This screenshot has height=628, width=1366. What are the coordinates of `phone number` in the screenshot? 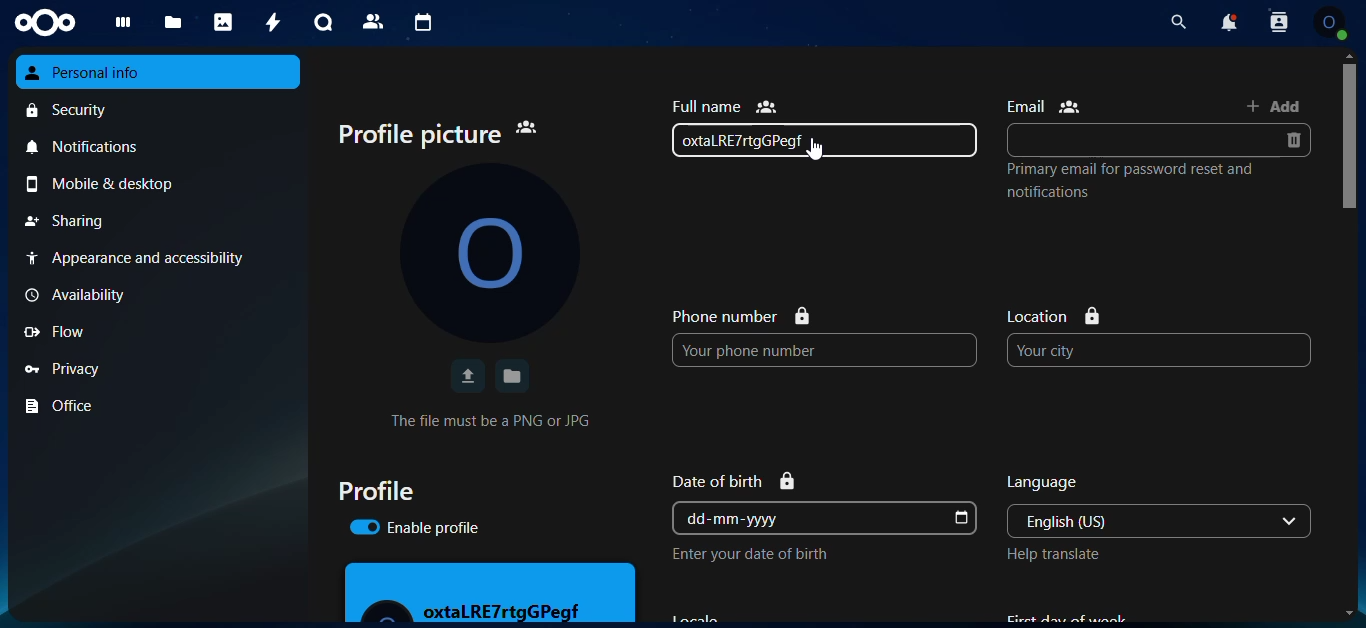 It's located at (741, 315).